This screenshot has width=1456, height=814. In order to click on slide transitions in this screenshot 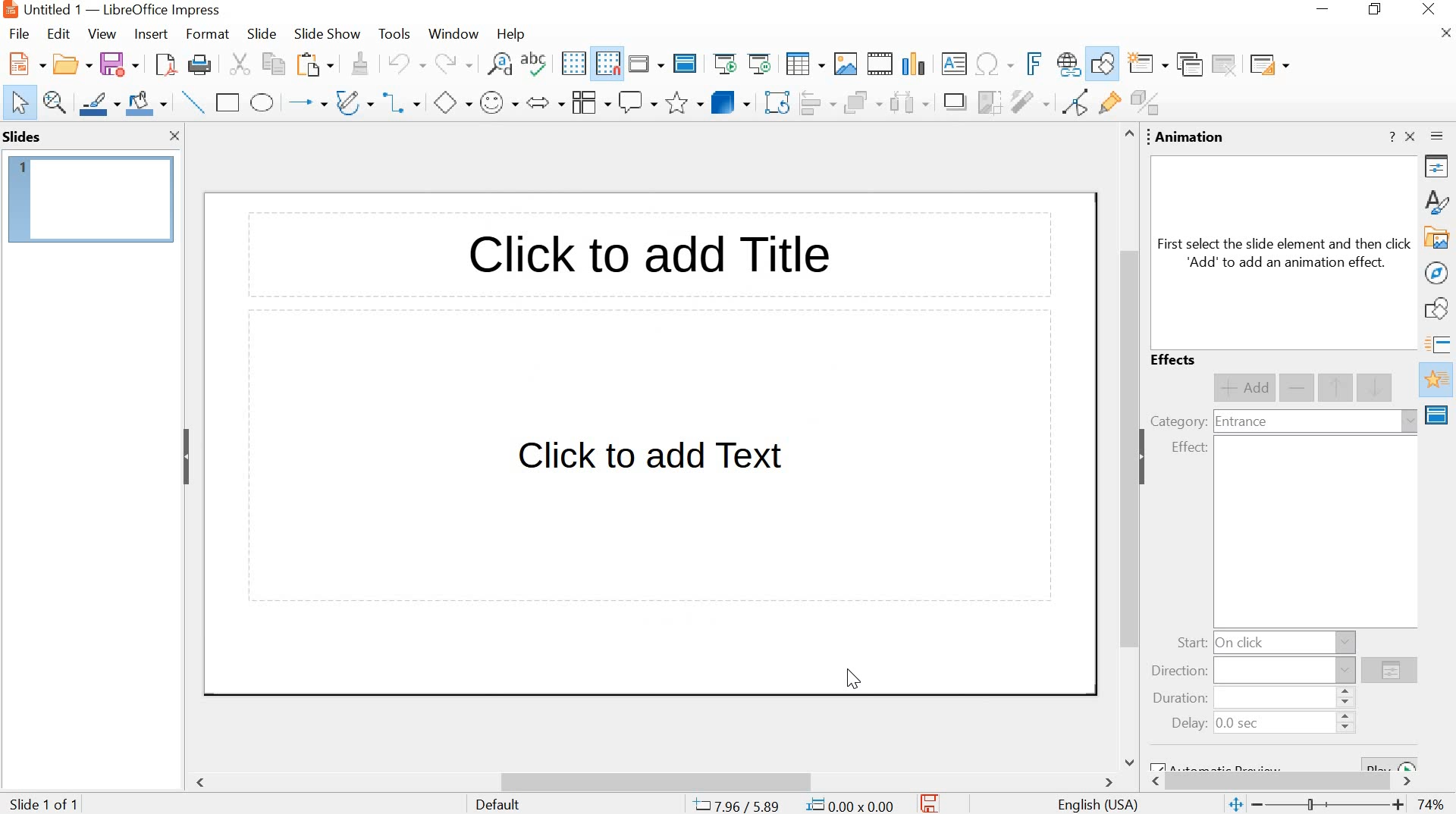, I will do `click(1439, 345)`.